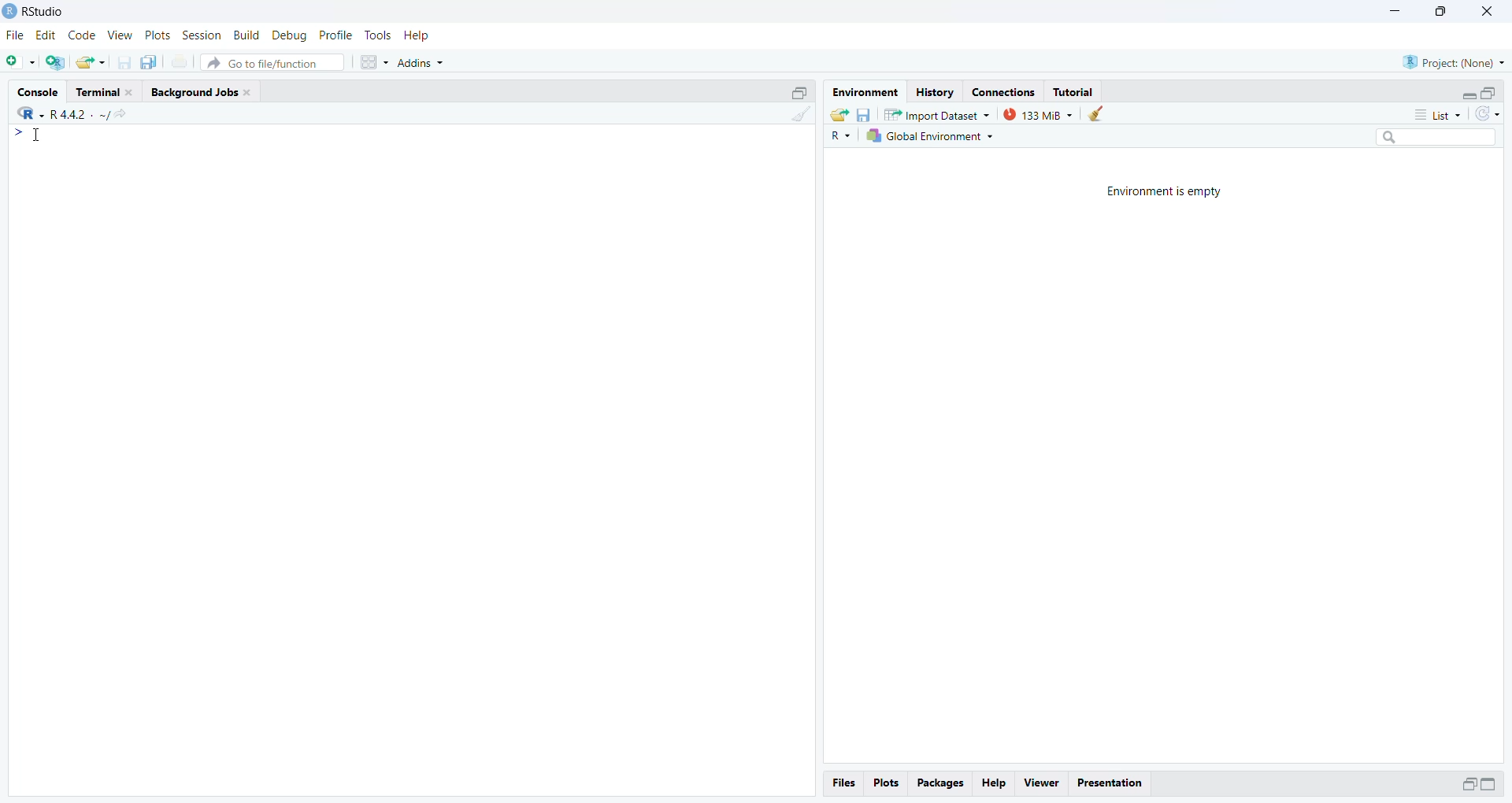  What do you see at coordinates (1455, 64) in the screenshot?
I see `Project (Name)` at bounding box center [1455, 64].